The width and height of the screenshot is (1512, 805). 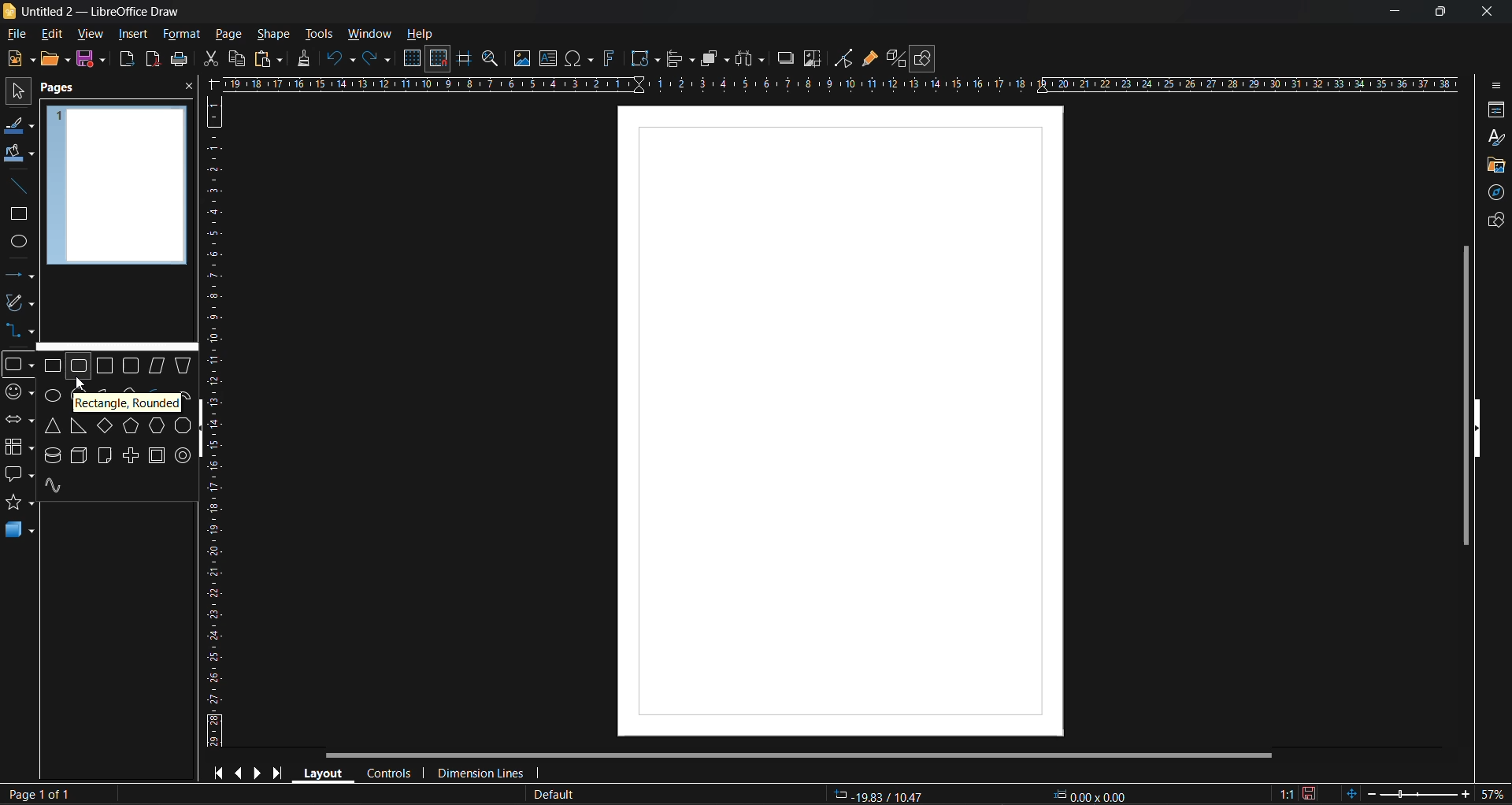 I want to click on hide, so click(x=1477, y=429).